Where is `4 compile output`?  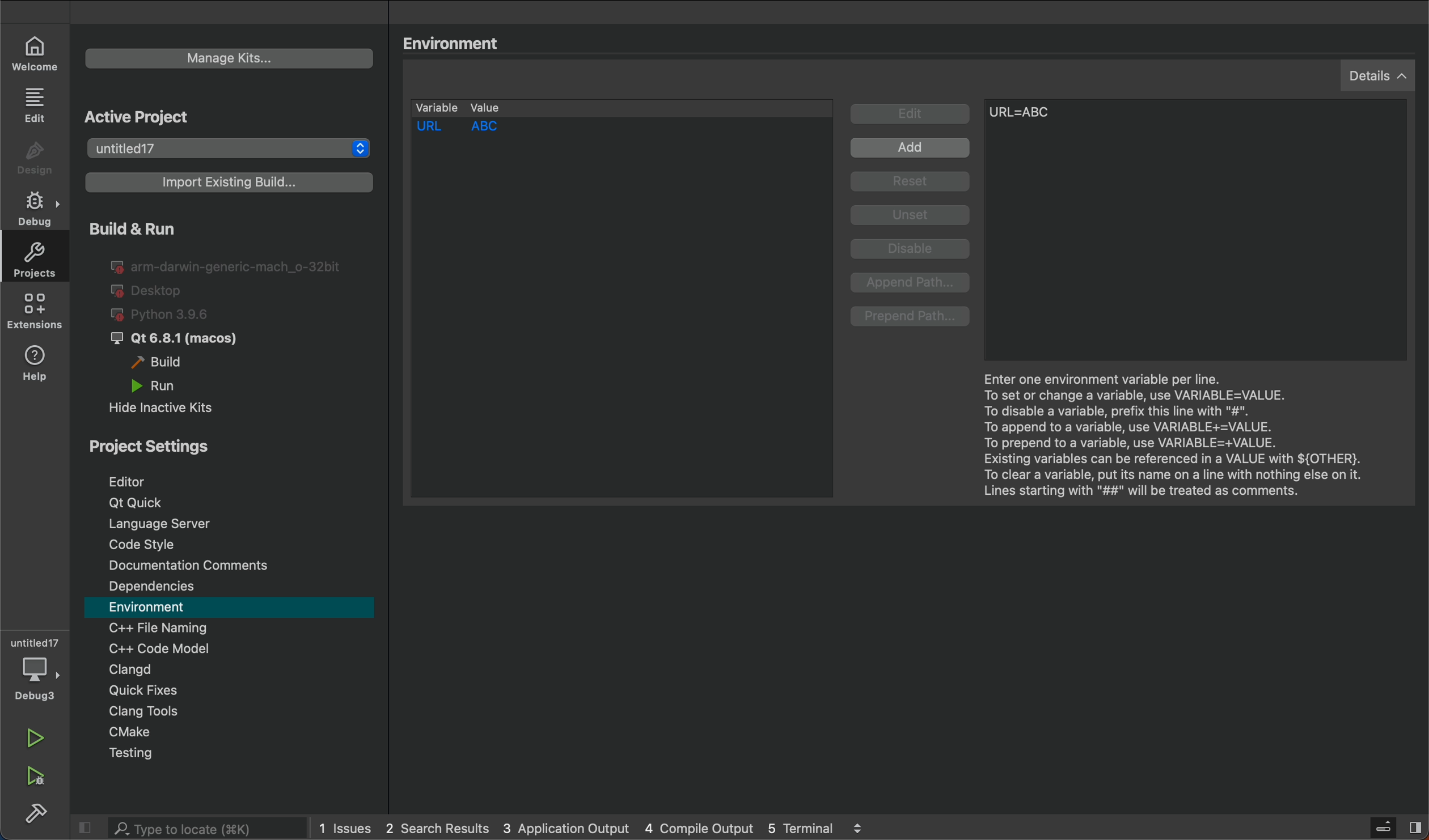
4 compile output is located at coordinates (699, 827).